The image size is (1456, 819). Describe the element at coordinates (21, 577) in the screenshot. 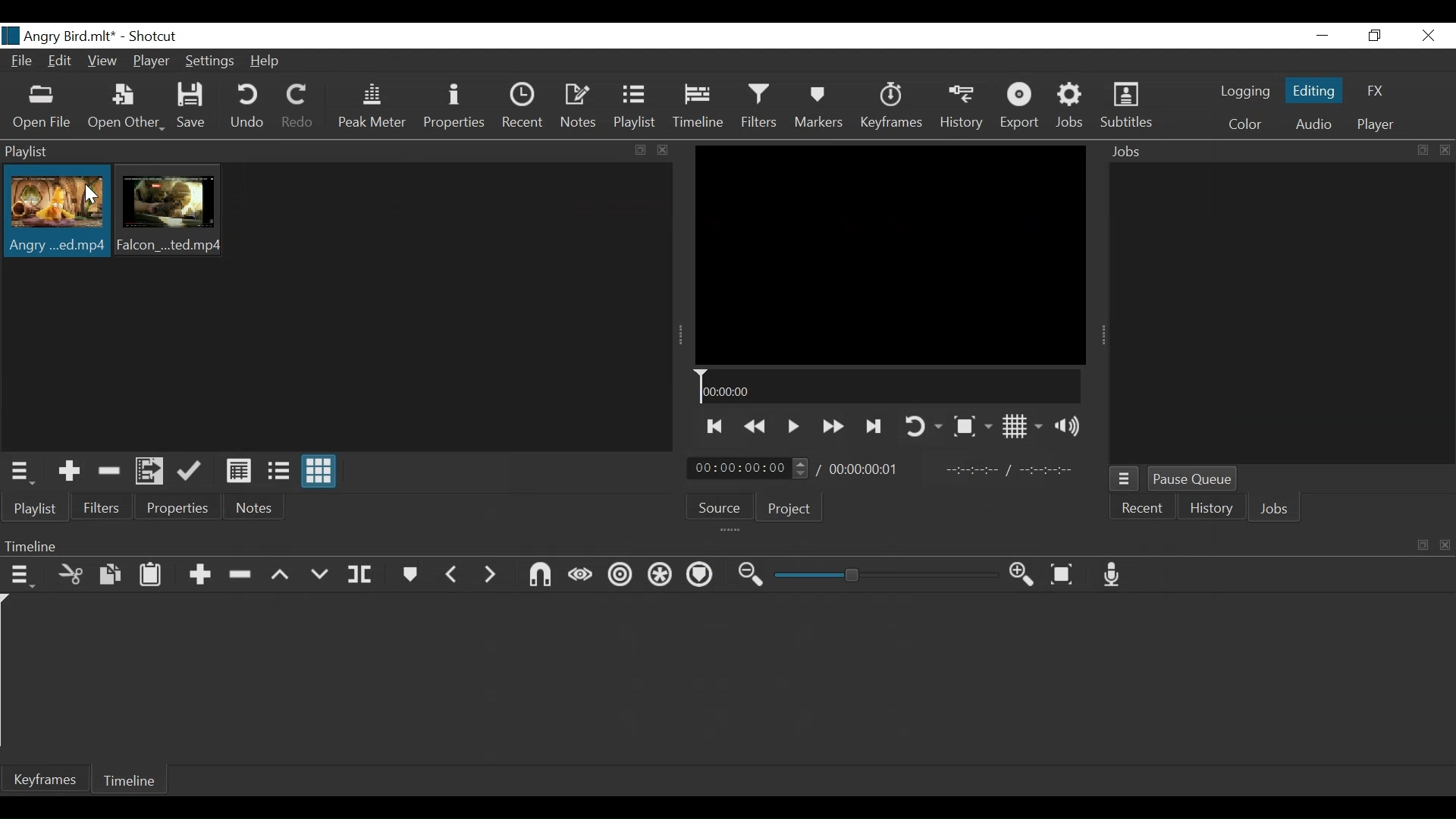

I see `Timeline menu` at that location.